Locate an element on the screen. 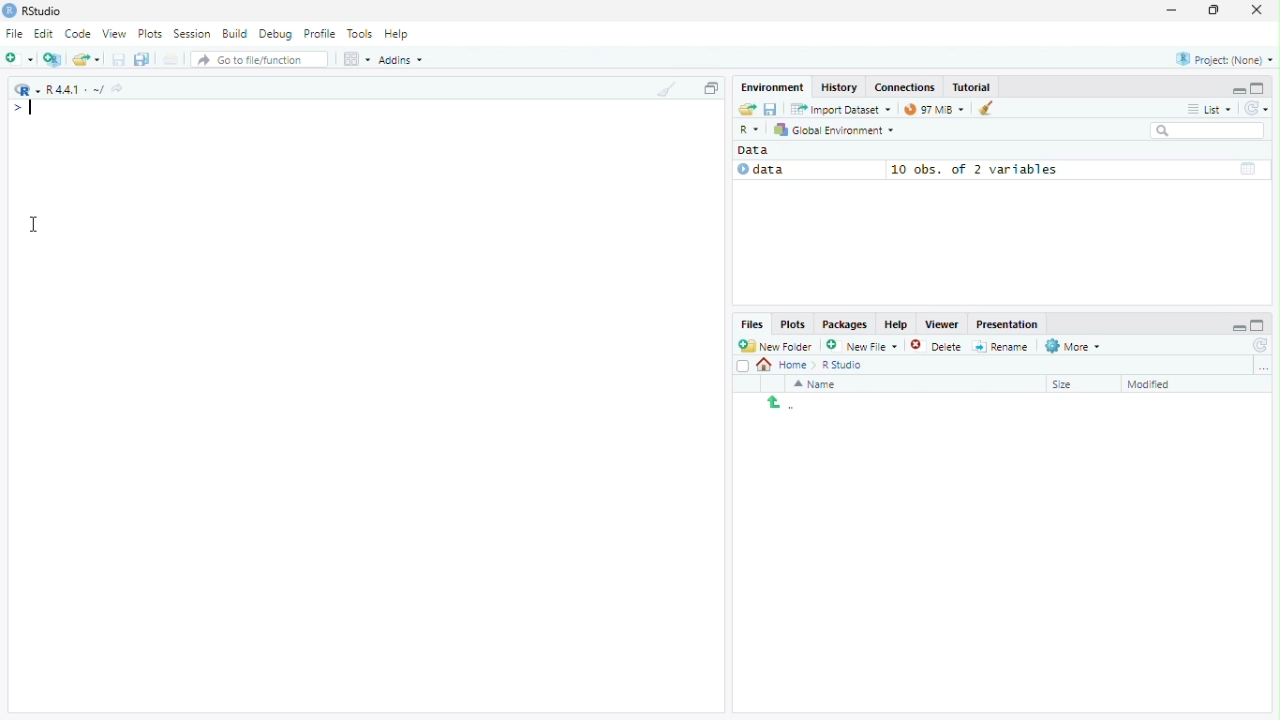 The height and width of the screenshot is (720, 1280). Environment is located at coordinates (773, 87).